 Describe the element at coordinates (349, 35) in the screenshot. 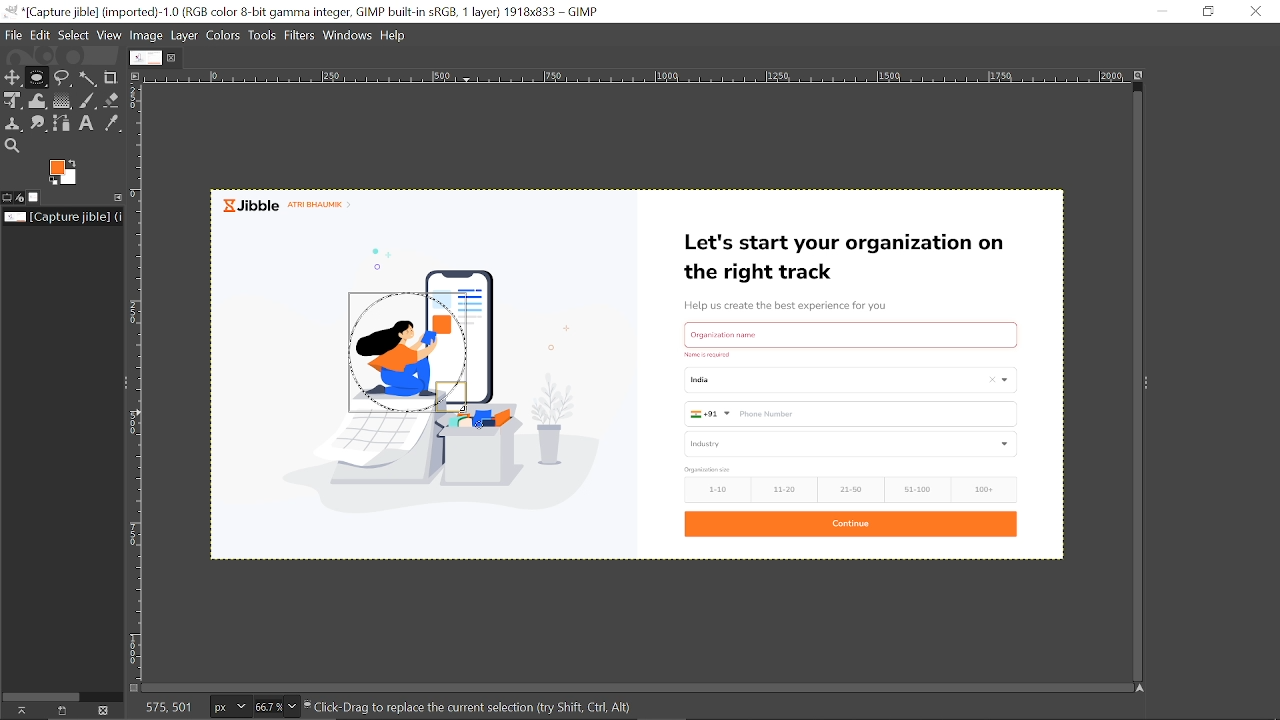

I see `Windows` at that location.